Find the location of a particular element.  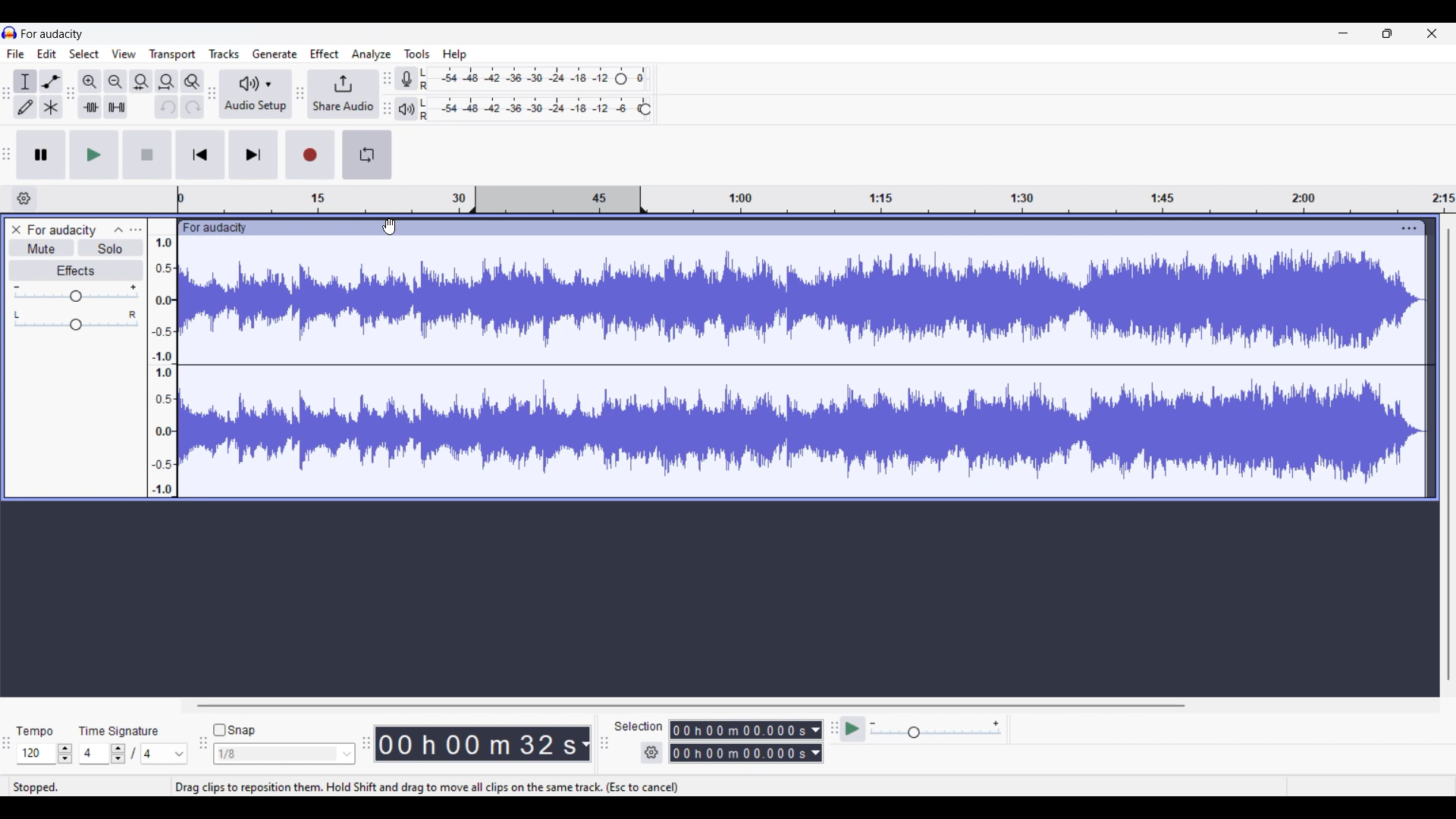

Timeline options is located at coordinates (26, 198).